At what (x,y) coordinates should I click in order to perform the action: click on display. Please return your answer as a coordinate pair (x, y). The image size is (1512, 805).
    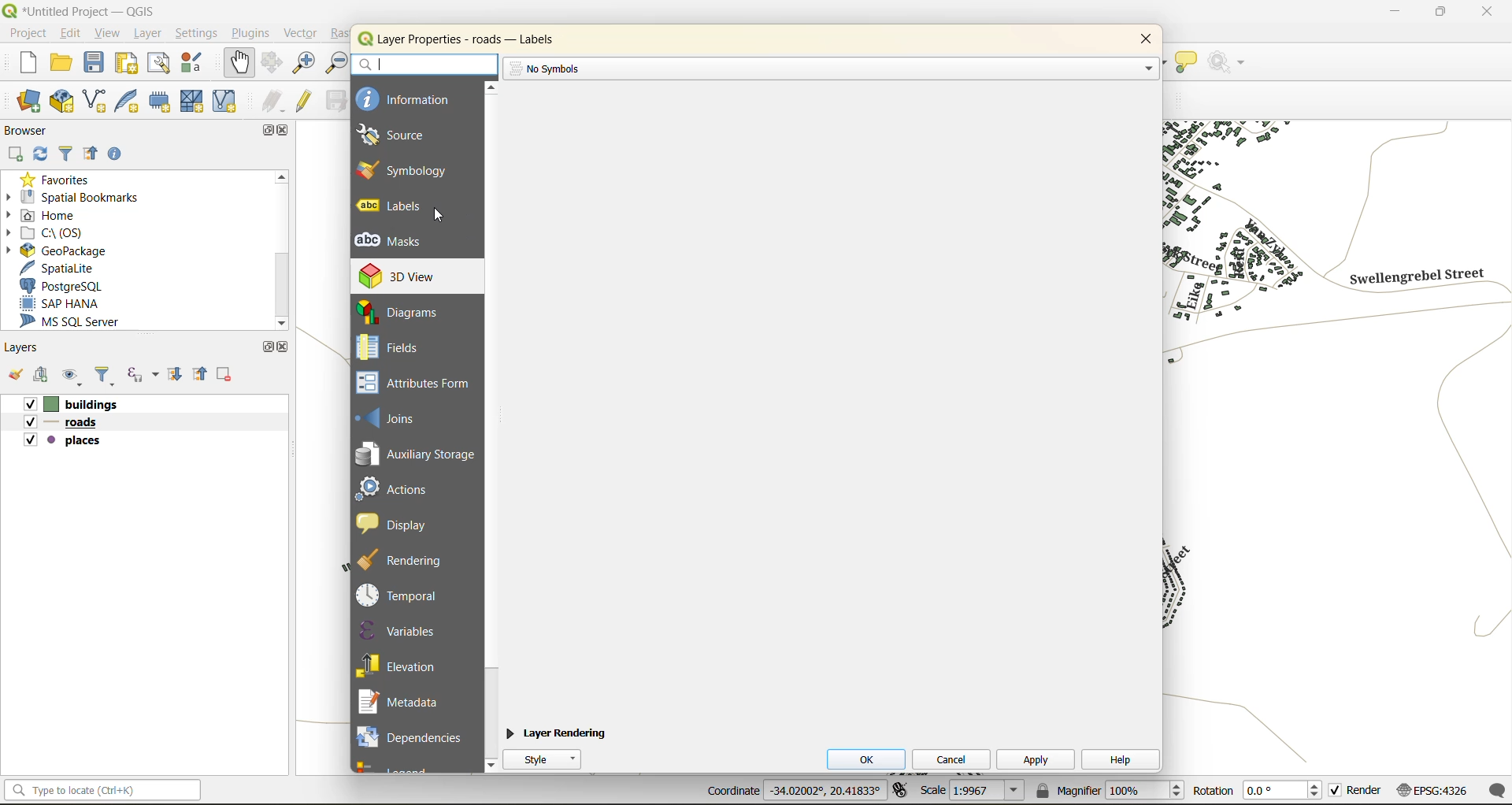
    Looking at the image, I should click on (399, 523).